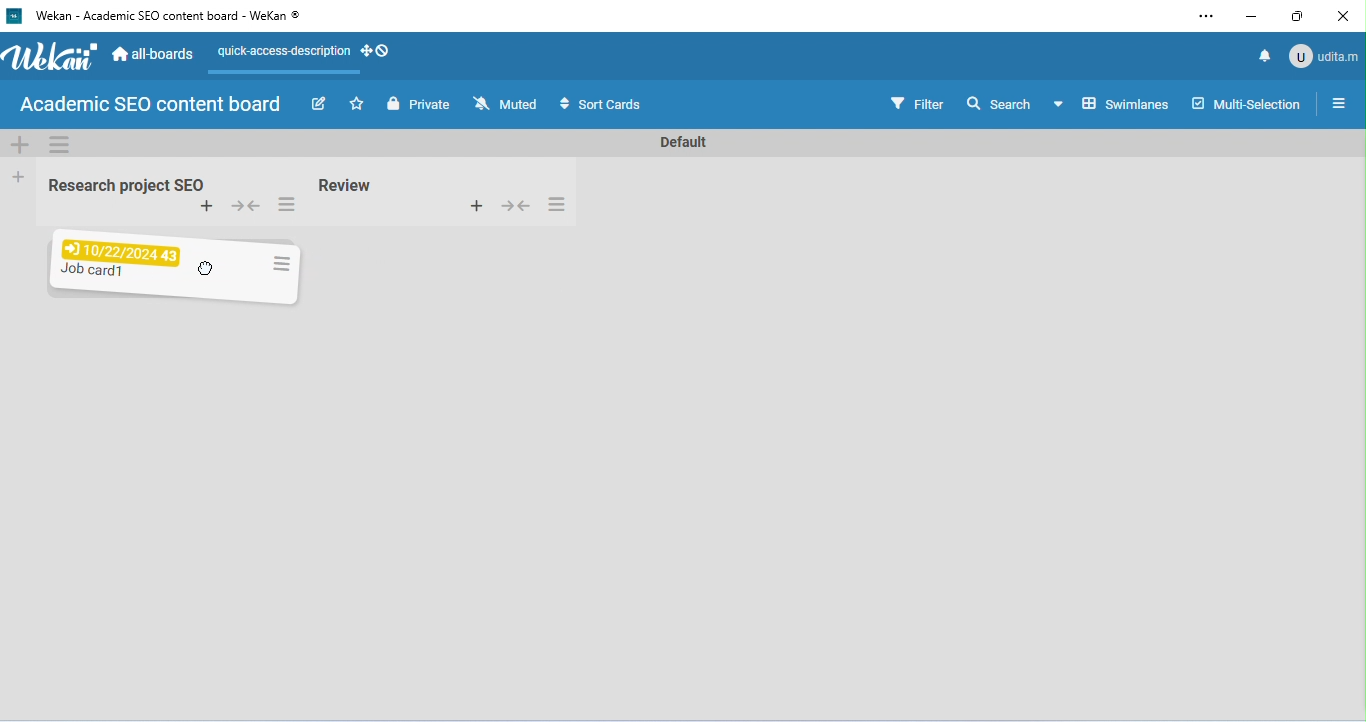 The width and height of the screenshot is (1366, 722). Describe the element at coordinates (155, 52) in the screenshot. I see `all boards` at that location.